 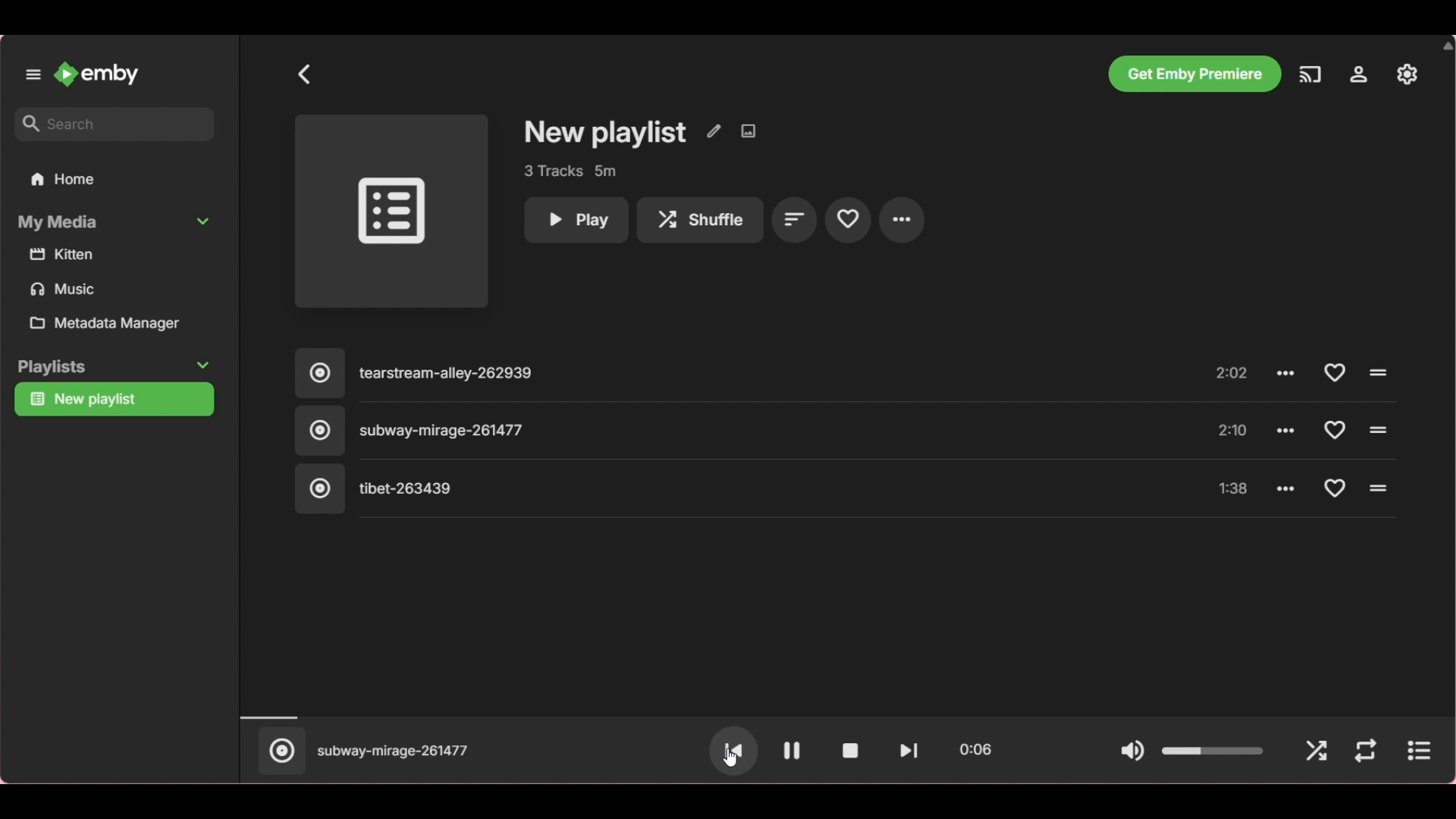 What do you see at coordinates (700, 221) in the screenshot?
I see `Shuffle` at bounding box center [700, 221].